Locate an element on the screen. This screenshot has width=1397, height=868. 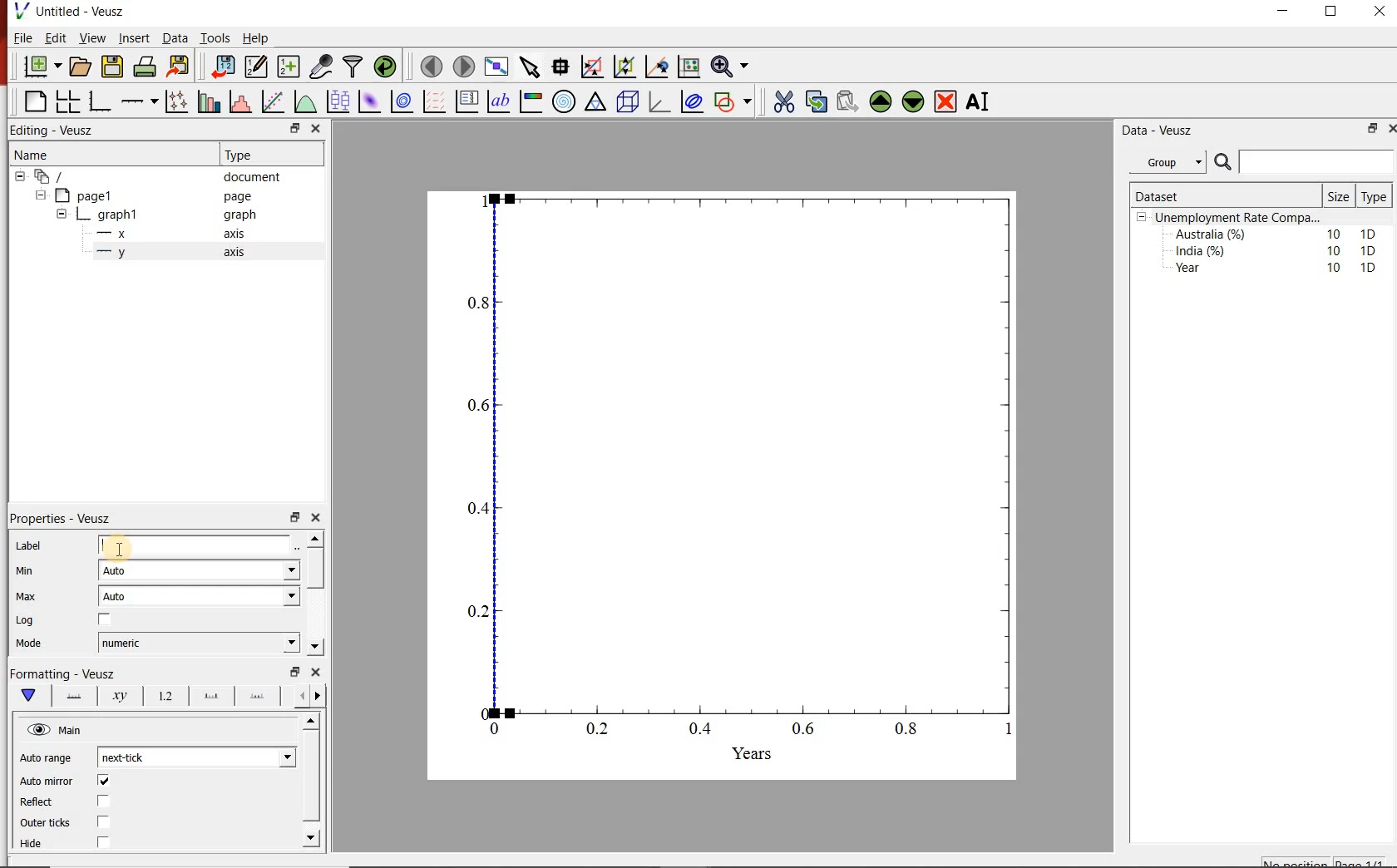
move the widgets down is located at coordinates (911, 101).